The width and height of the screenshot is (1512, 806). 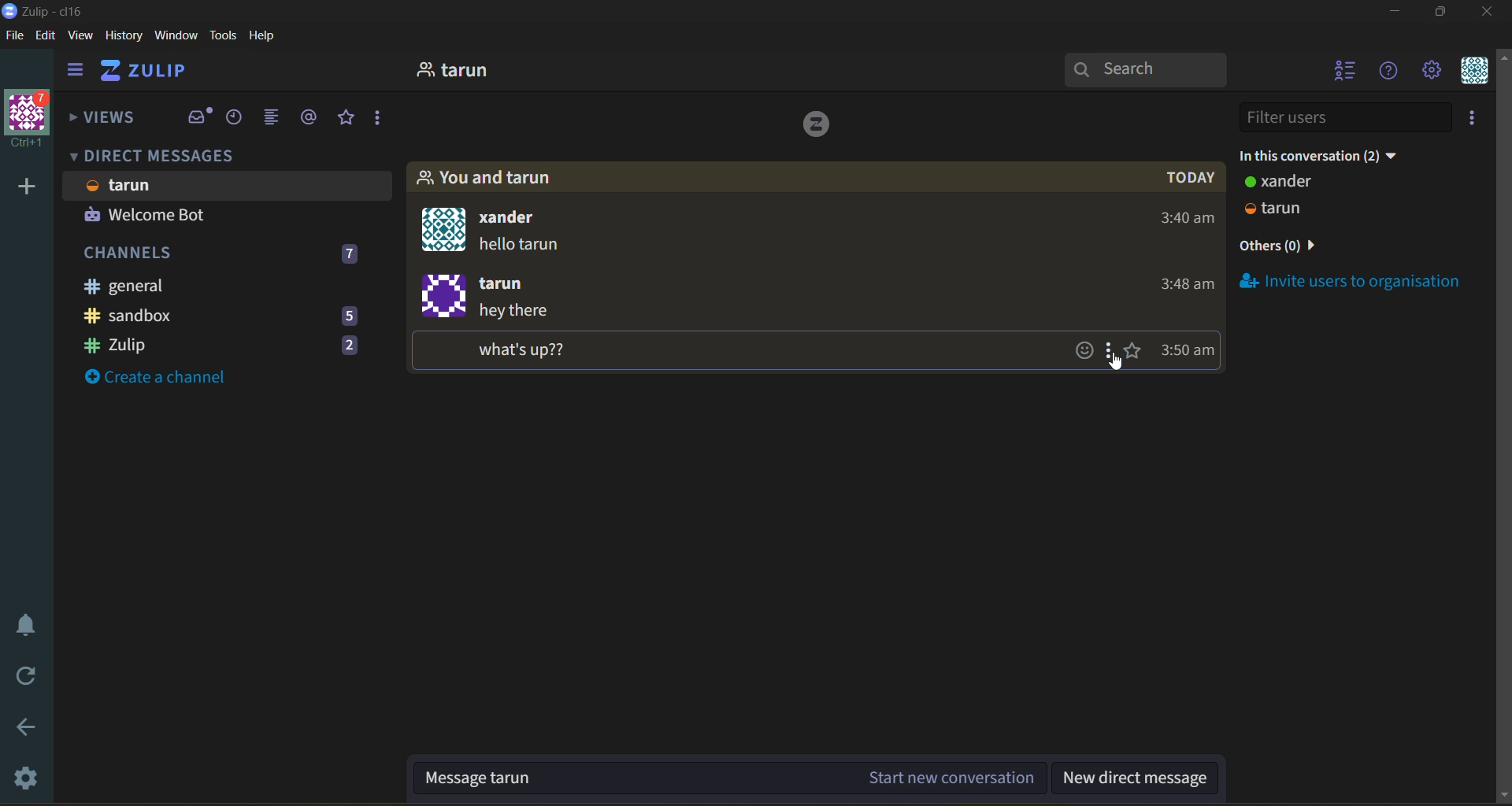 I want to click on in this conversation, so click(x=1327, y=156).